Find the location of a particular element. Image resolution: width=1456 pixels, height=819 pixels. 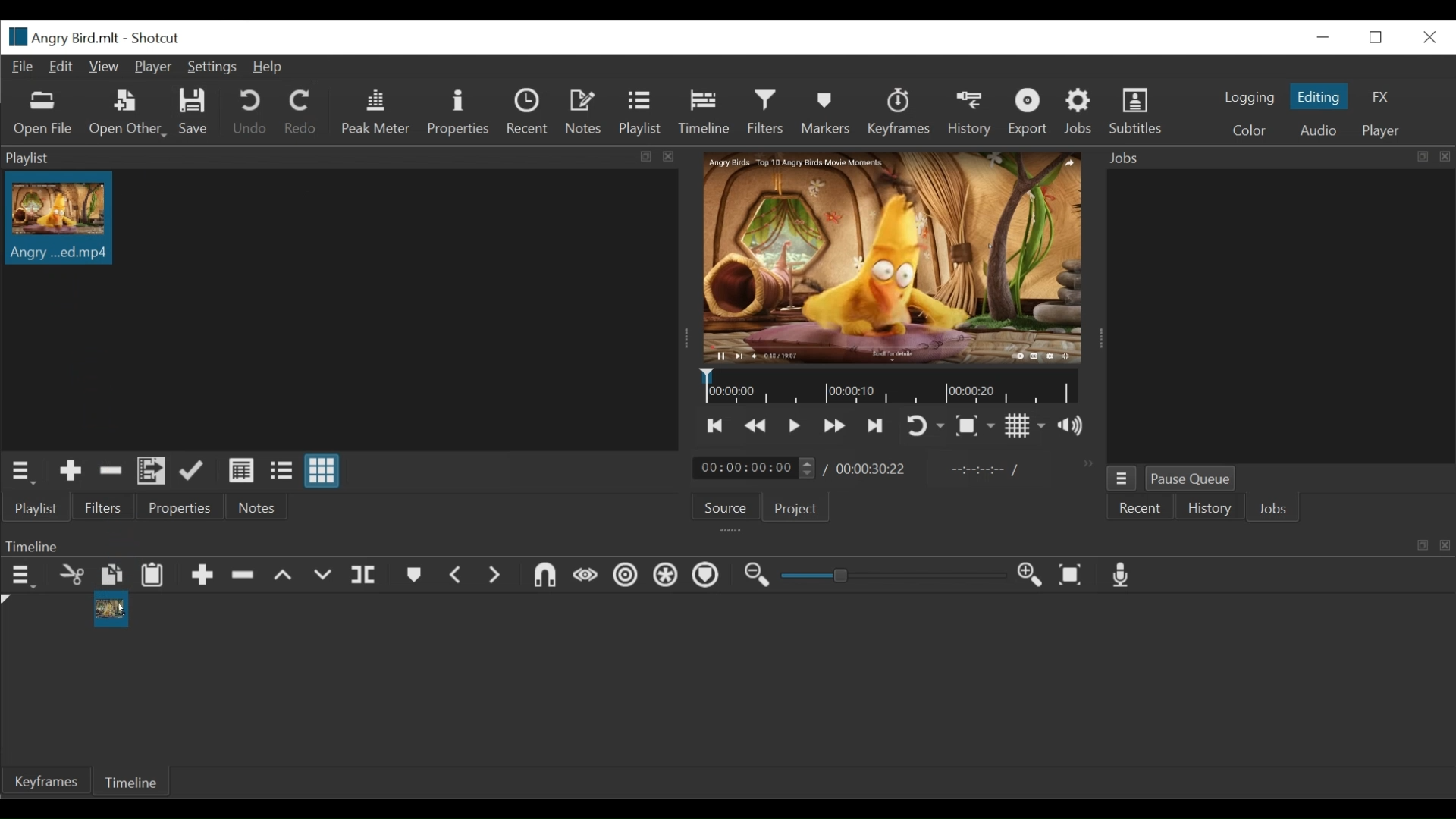

Markers is located at coordinates (826, 110).